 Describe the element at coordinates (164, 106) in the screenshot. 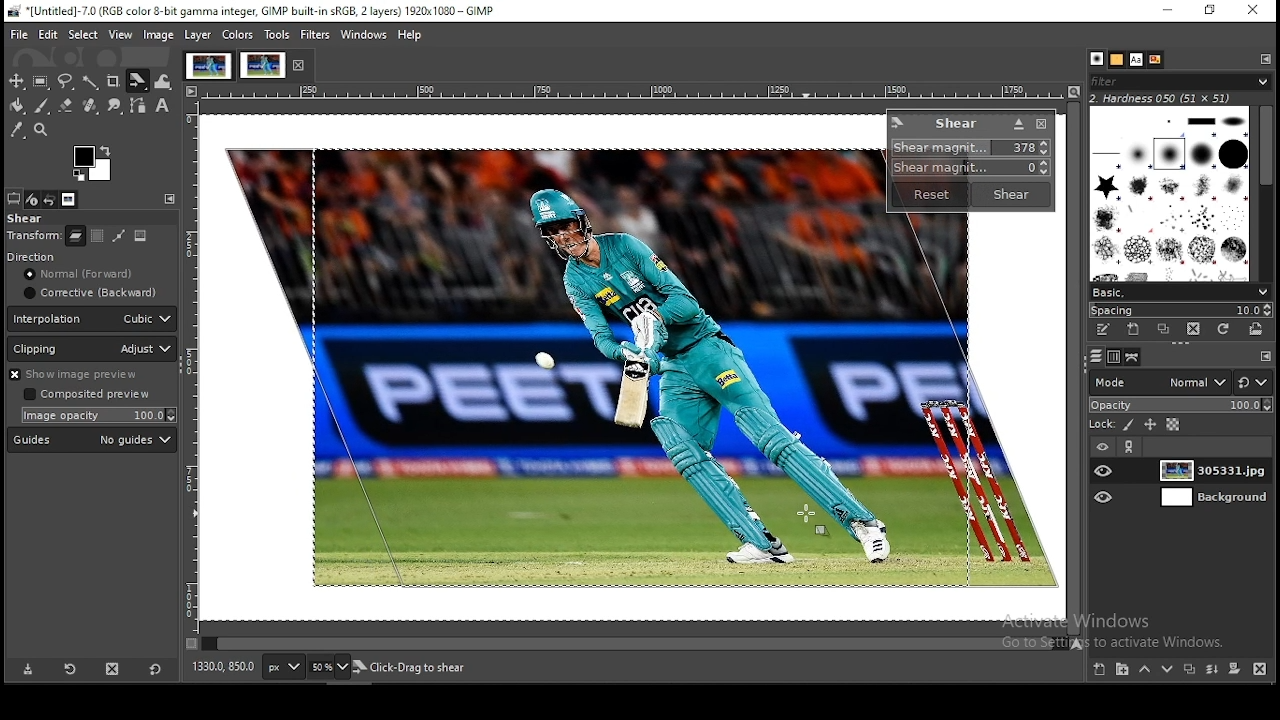

I see `text tool` at that location.